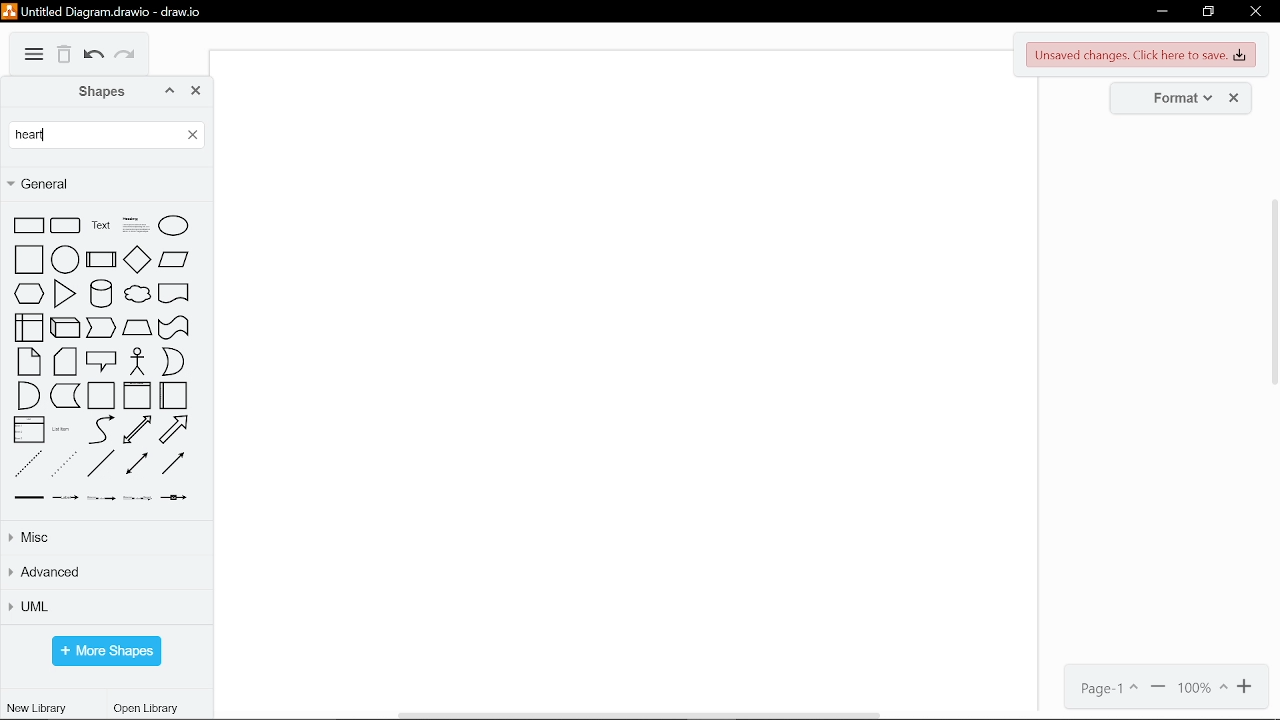  Describe the element at coordinates (1103, 688) in the screenshot. I see `page1` at that location.